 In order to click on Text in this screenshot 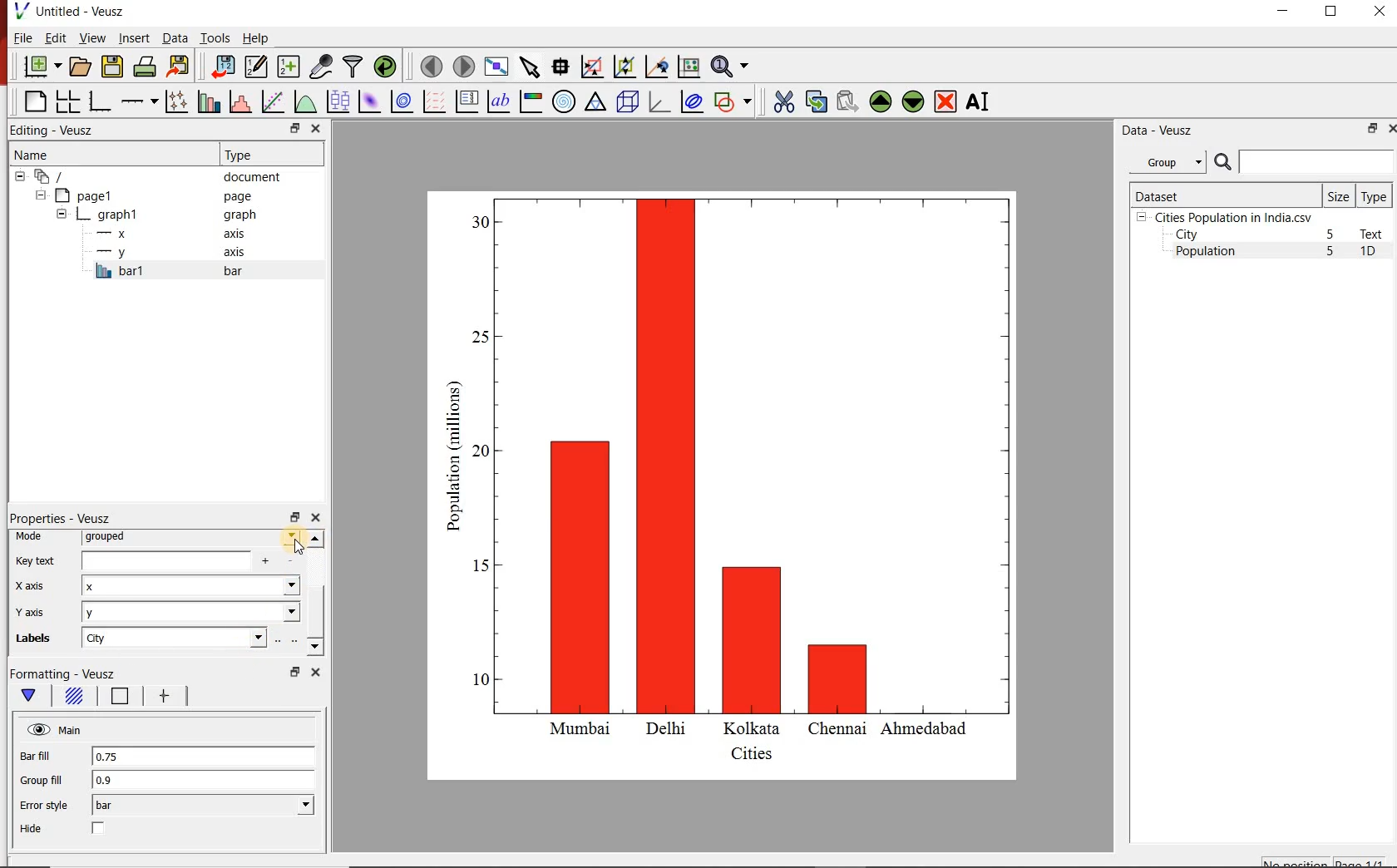, I will do `click(1375, 234)`.